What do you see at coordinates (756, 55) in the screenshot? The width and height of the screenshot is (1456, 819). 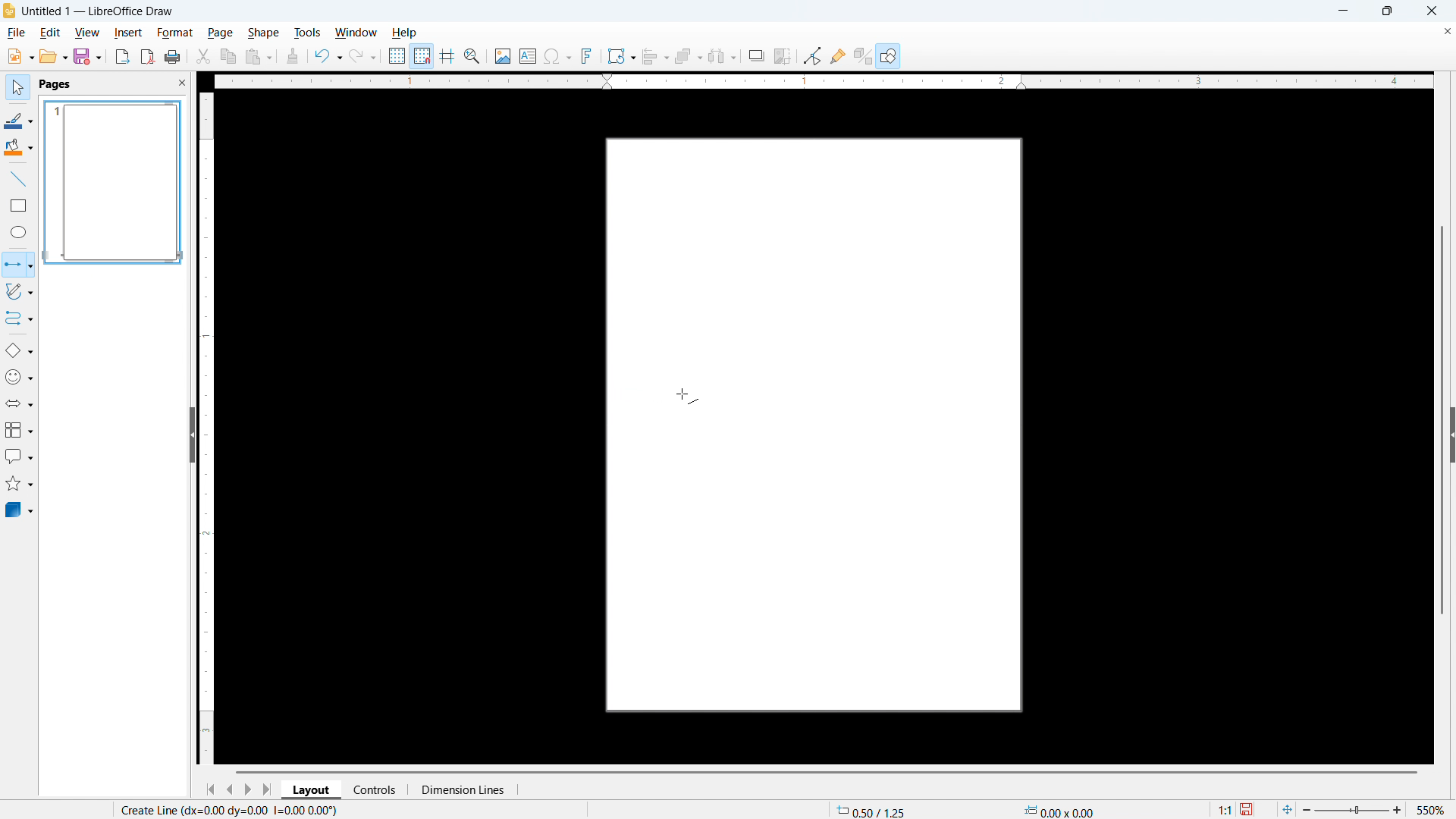 I see `Shadow ` at bounding box center [756, 55].